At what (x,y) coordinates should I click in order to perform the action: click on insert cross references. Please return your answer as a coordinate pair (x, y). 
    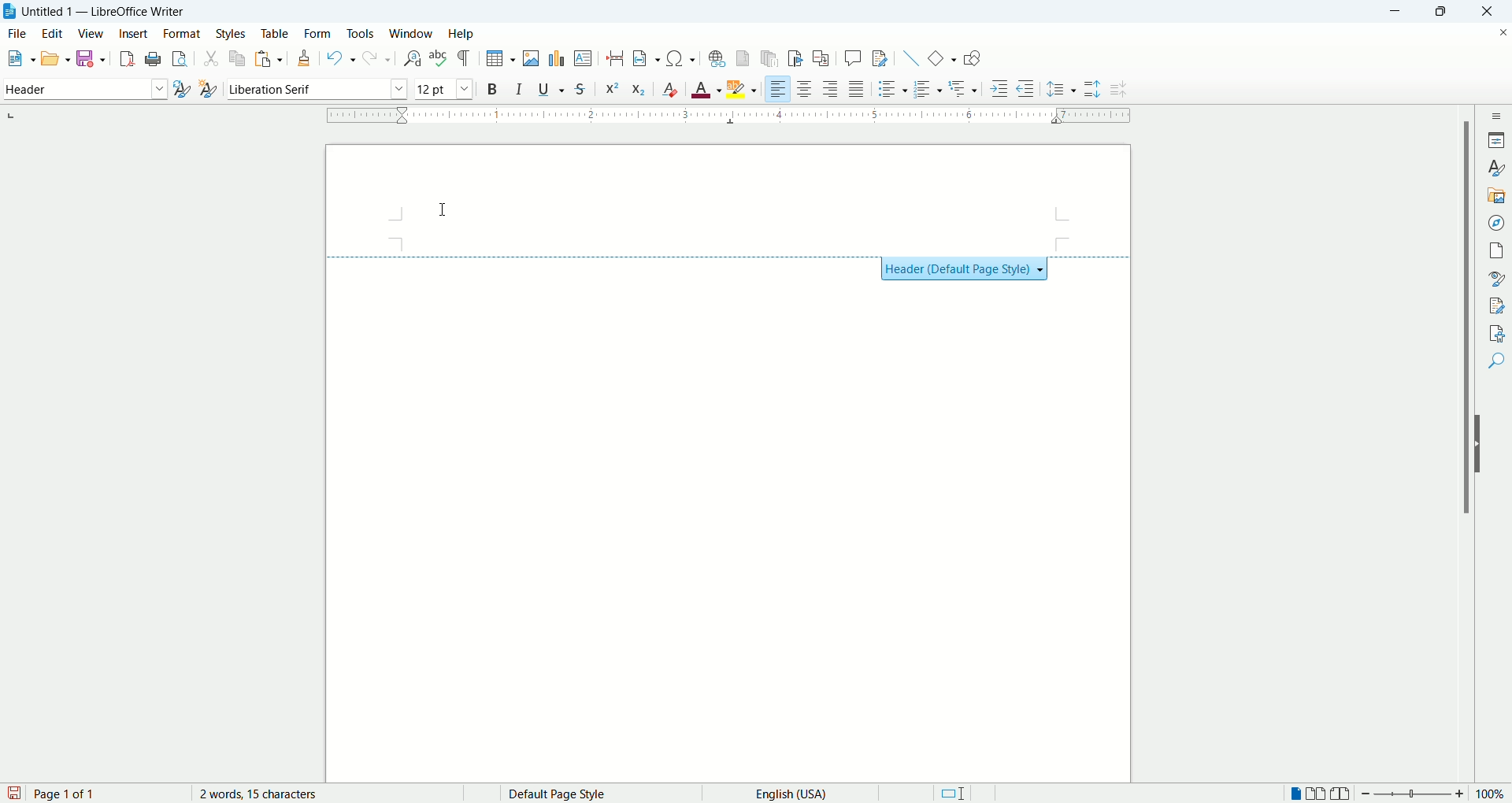
    Looking at the image, I should click on (822, 56).